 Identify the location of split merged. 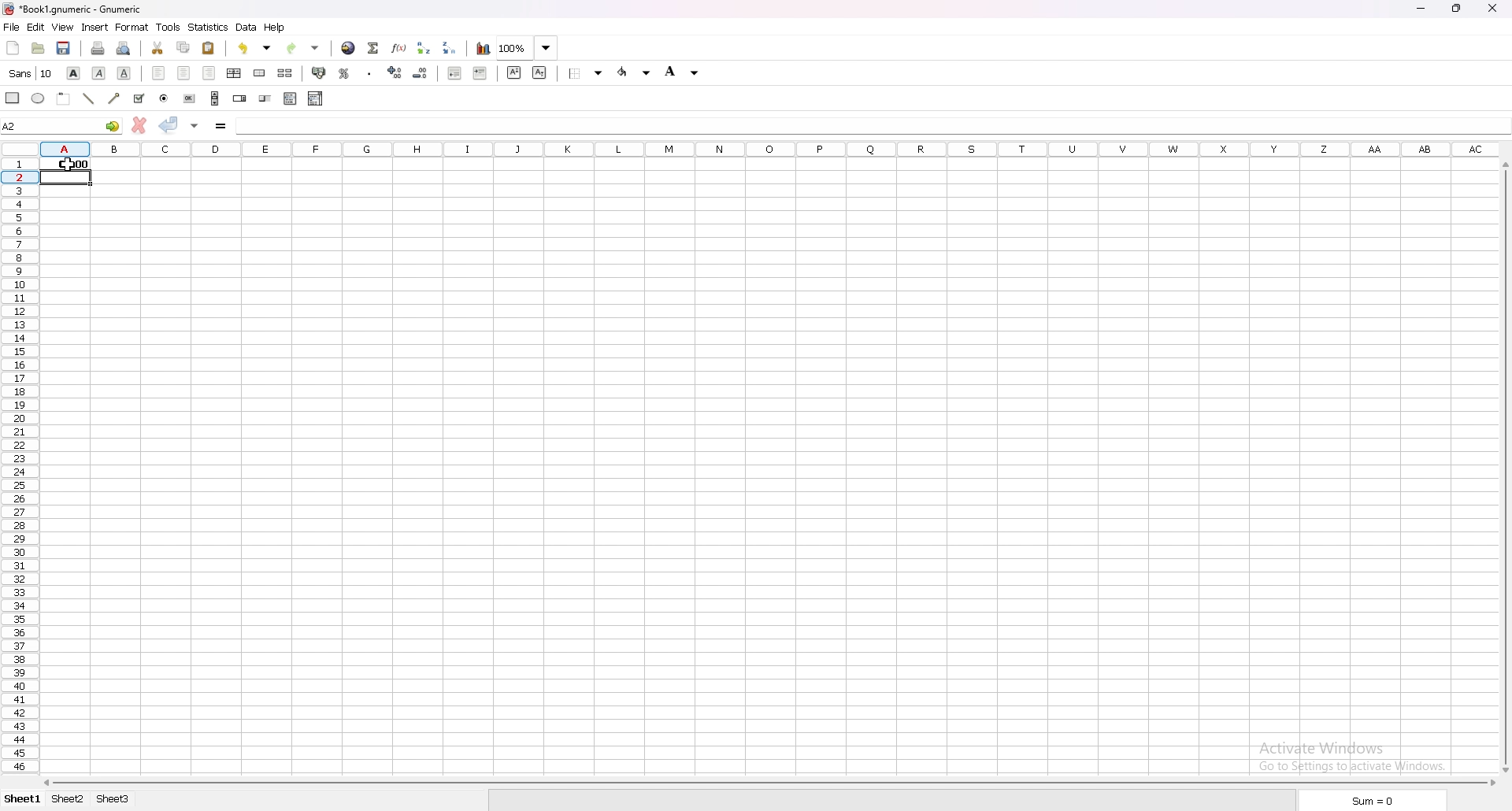
(287, 74).